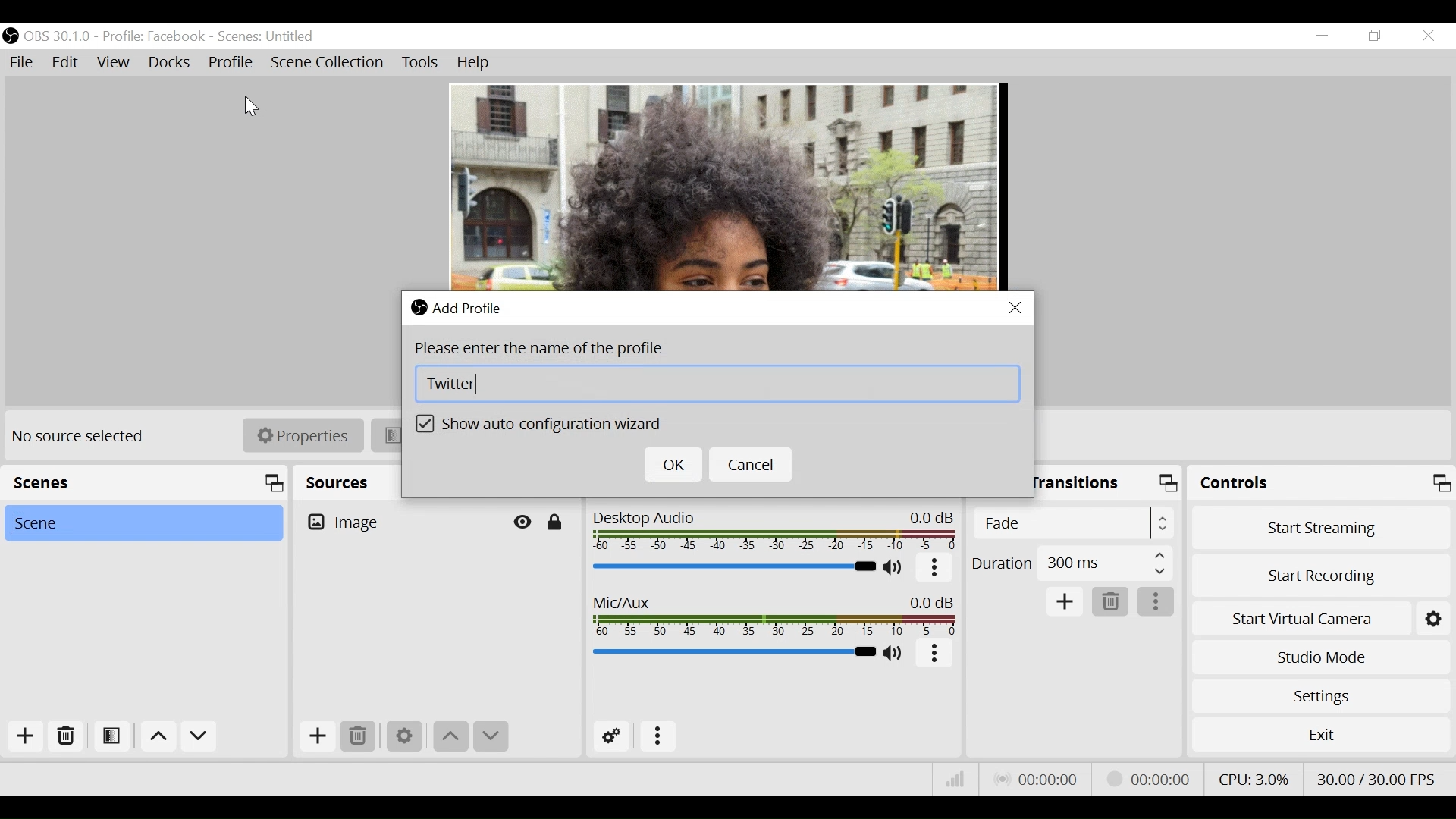 The height and width of the screenshot is (819, 1456). I want to click on Studio Mode, so click(1318, 659).